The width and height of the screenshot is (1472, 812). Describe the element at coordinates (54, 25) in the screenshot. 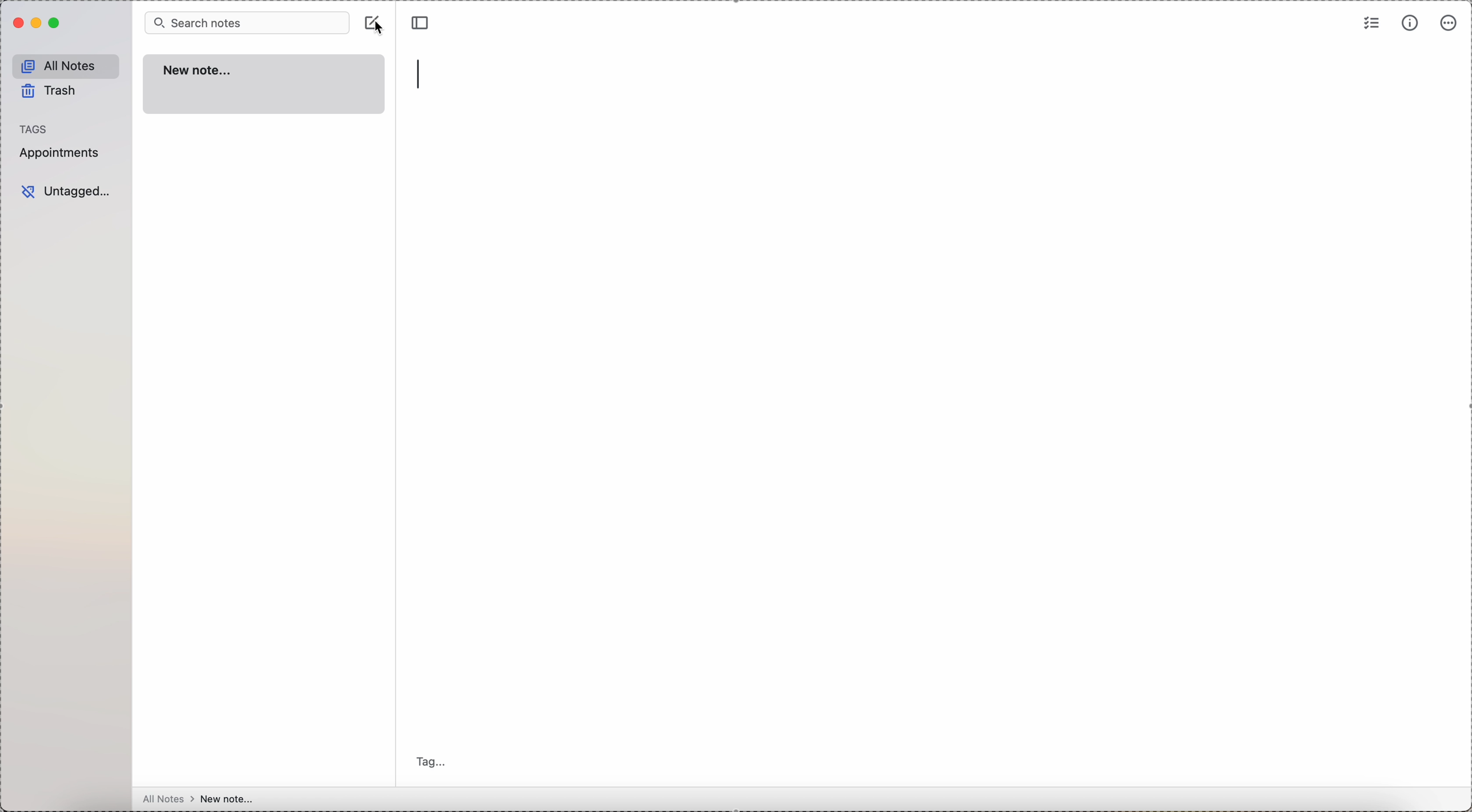

I see `maximize` at that location.